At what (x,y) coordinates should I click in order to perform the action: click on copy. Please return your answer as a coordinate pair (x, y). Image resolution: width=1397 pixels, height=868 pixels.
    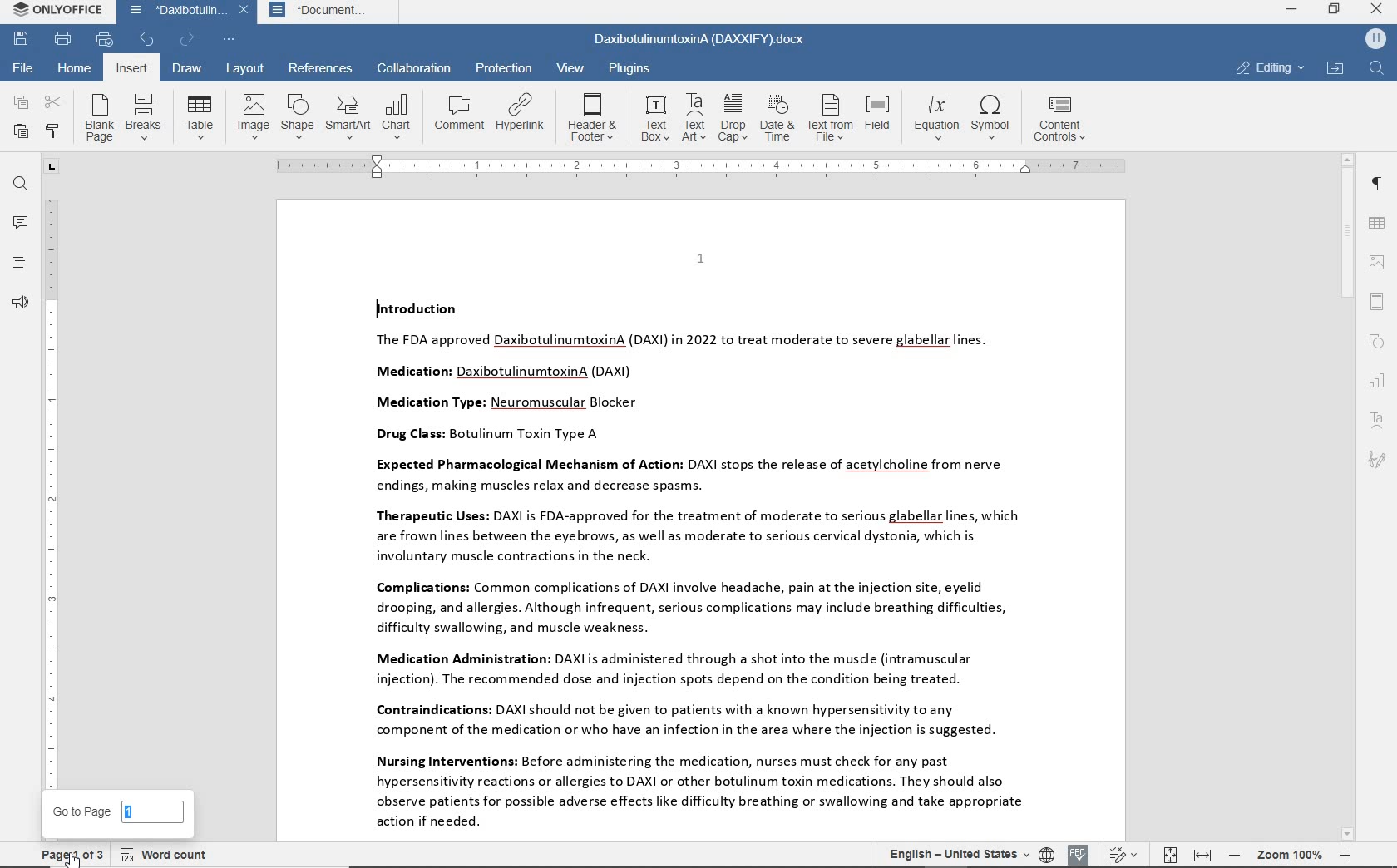
    Looking at the image, I should click on (18, 102).